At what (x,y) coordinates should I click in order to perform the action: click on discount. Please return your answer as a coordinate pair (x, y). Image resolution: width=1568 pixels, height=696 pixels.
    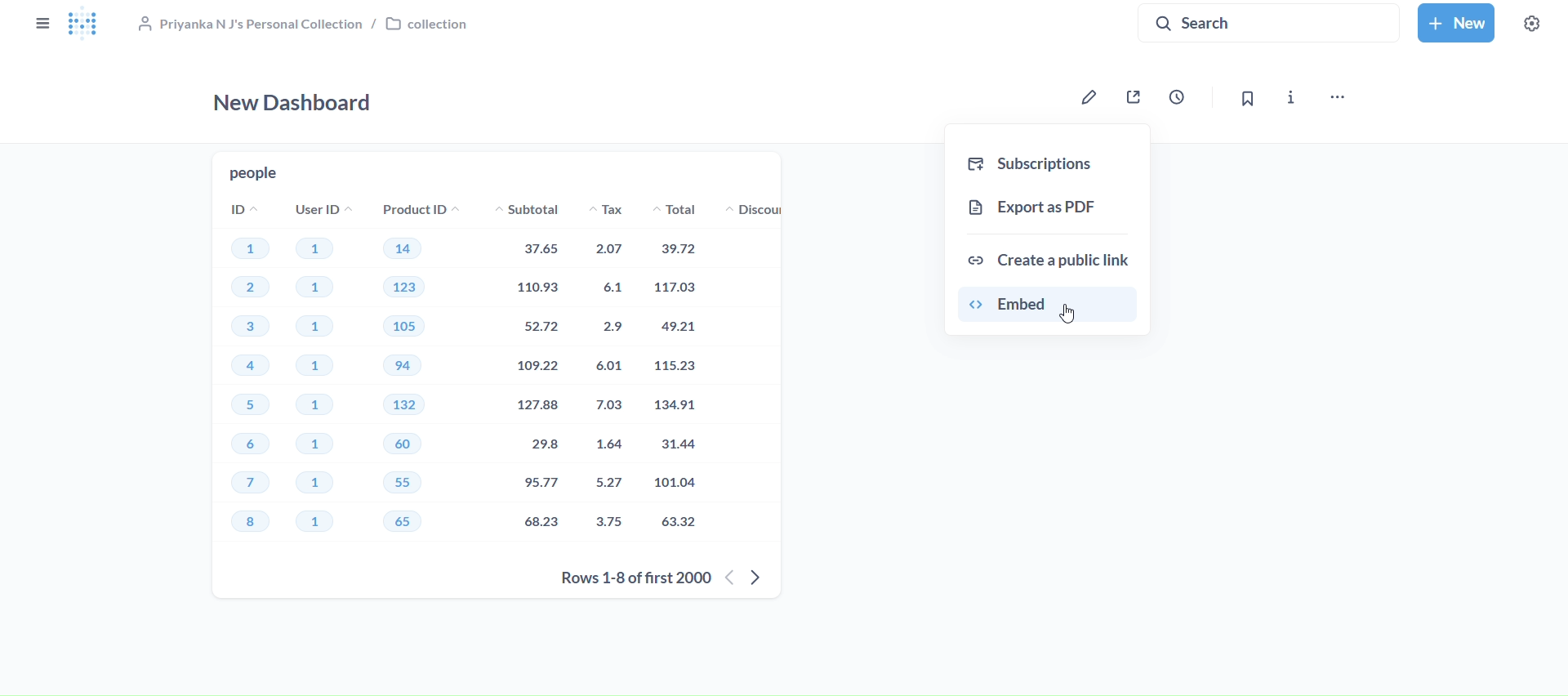
    Looking at the image, I should click on (755, 210).